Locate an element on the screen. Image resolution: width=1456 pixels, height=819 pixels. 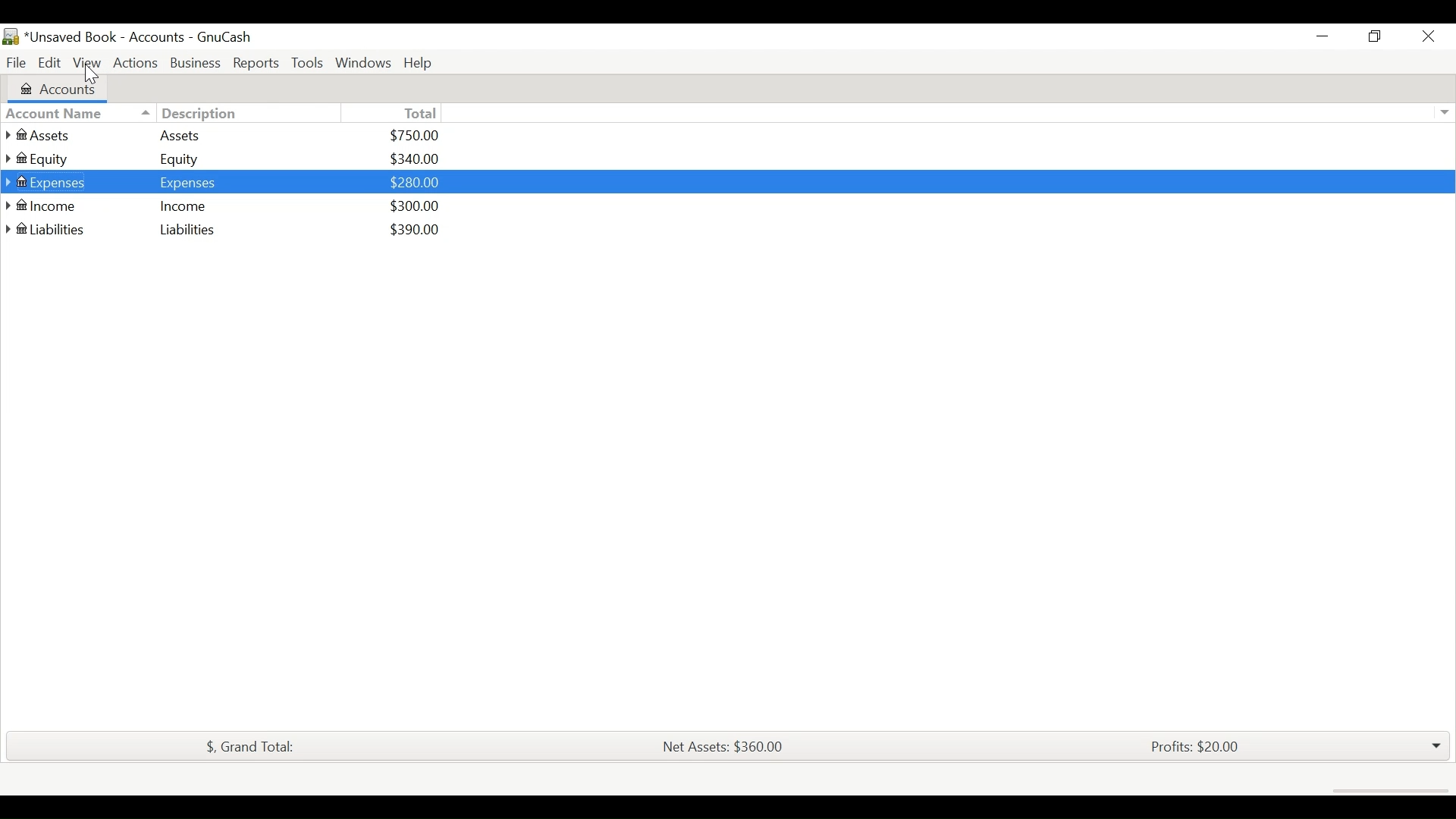
Total is located at coordinates (422, 113).